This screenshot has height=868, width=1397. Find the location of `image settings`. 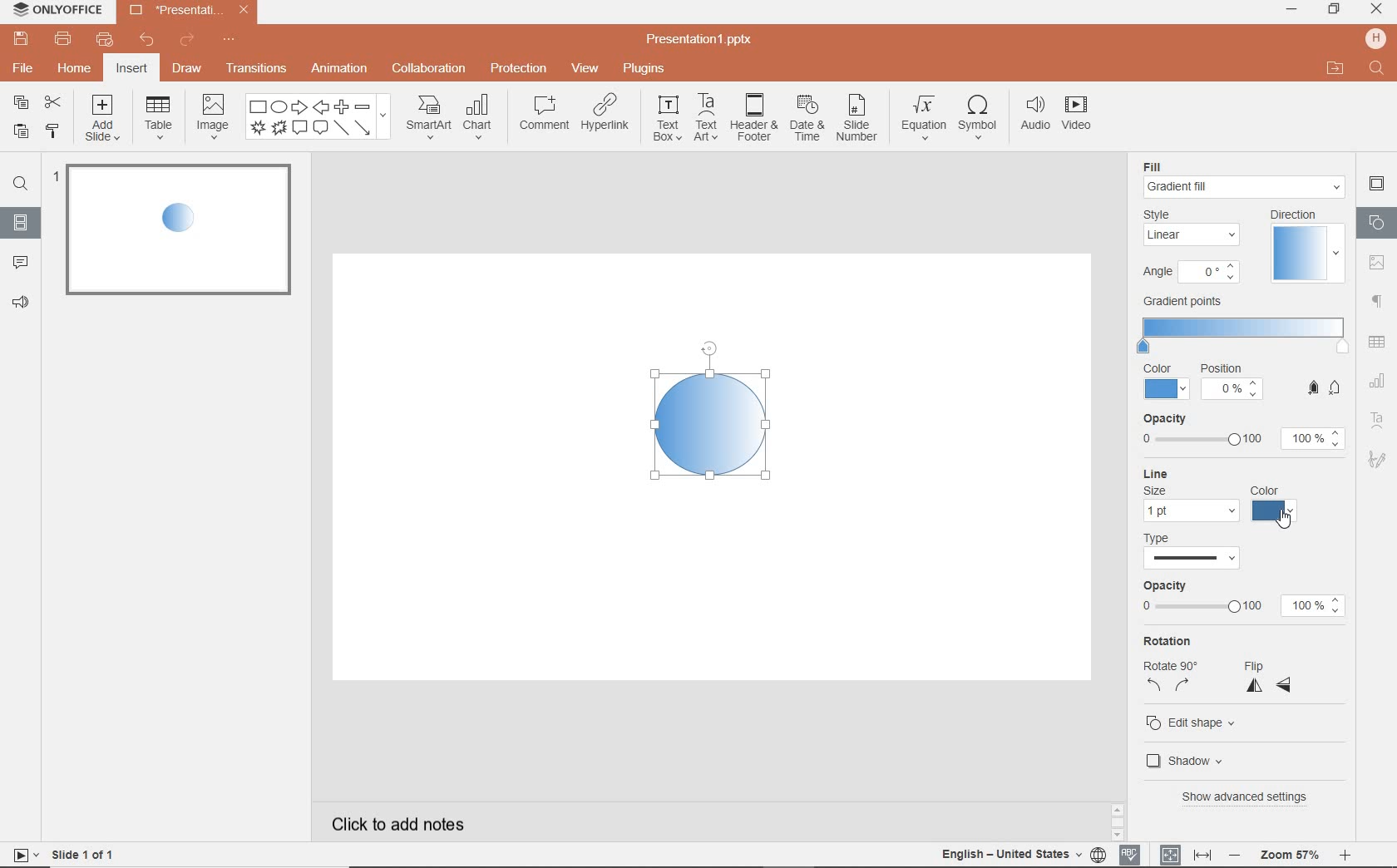

image settings is located at coordinates (1380, 261).